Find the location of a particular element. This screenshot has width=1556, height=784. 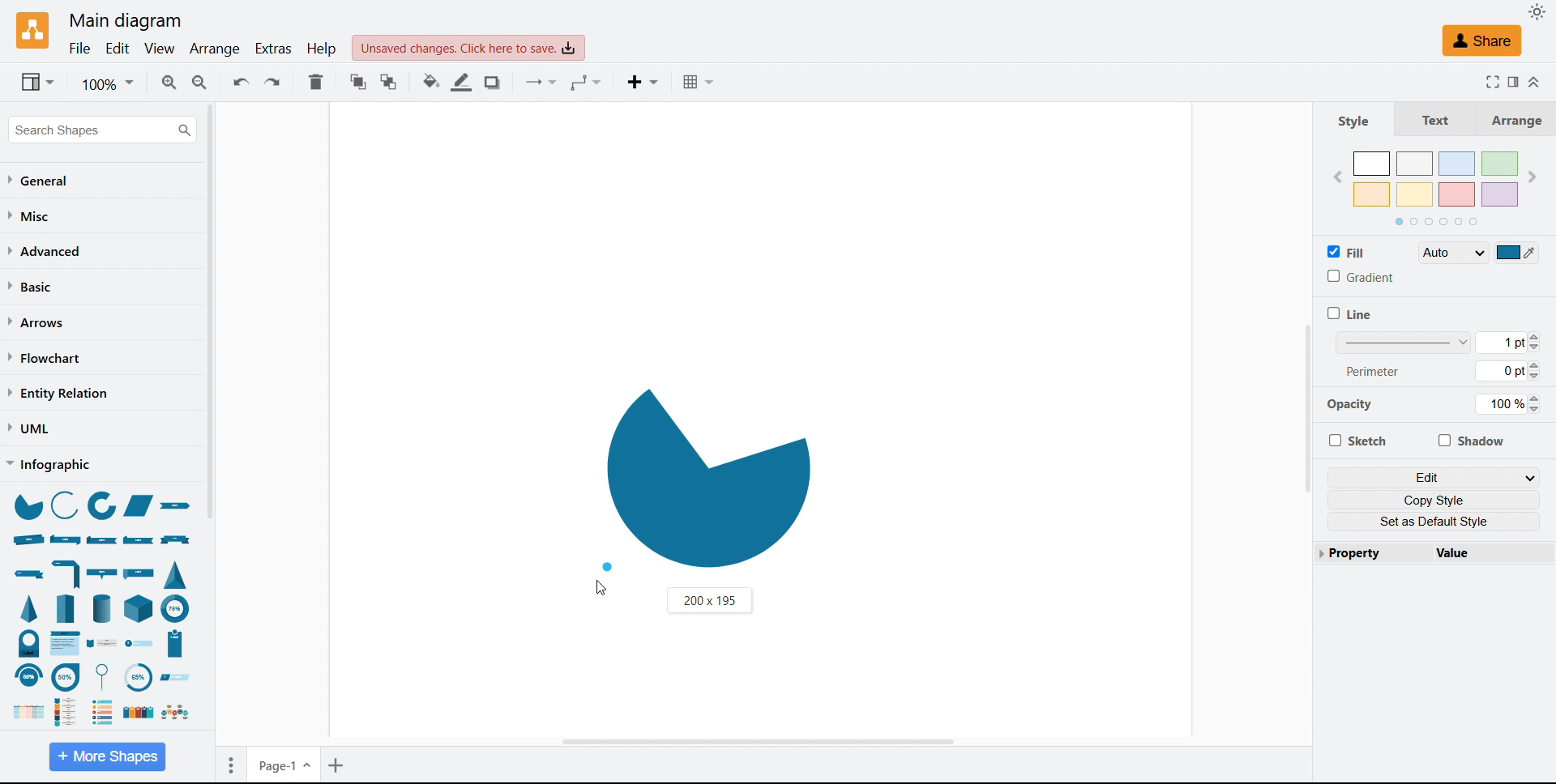

banner half fold is located at coordinates (67, 573).